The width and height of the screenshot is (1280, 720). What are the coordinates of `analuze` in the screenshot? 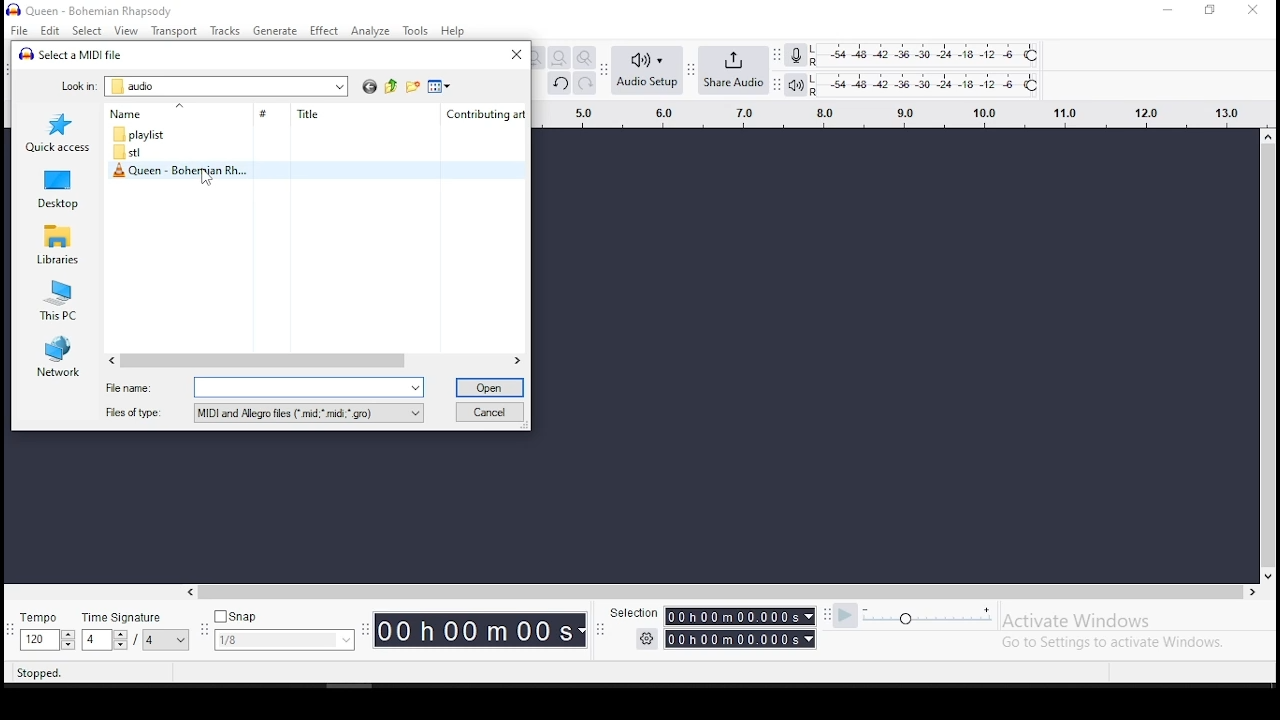 It's located at (370, 31).